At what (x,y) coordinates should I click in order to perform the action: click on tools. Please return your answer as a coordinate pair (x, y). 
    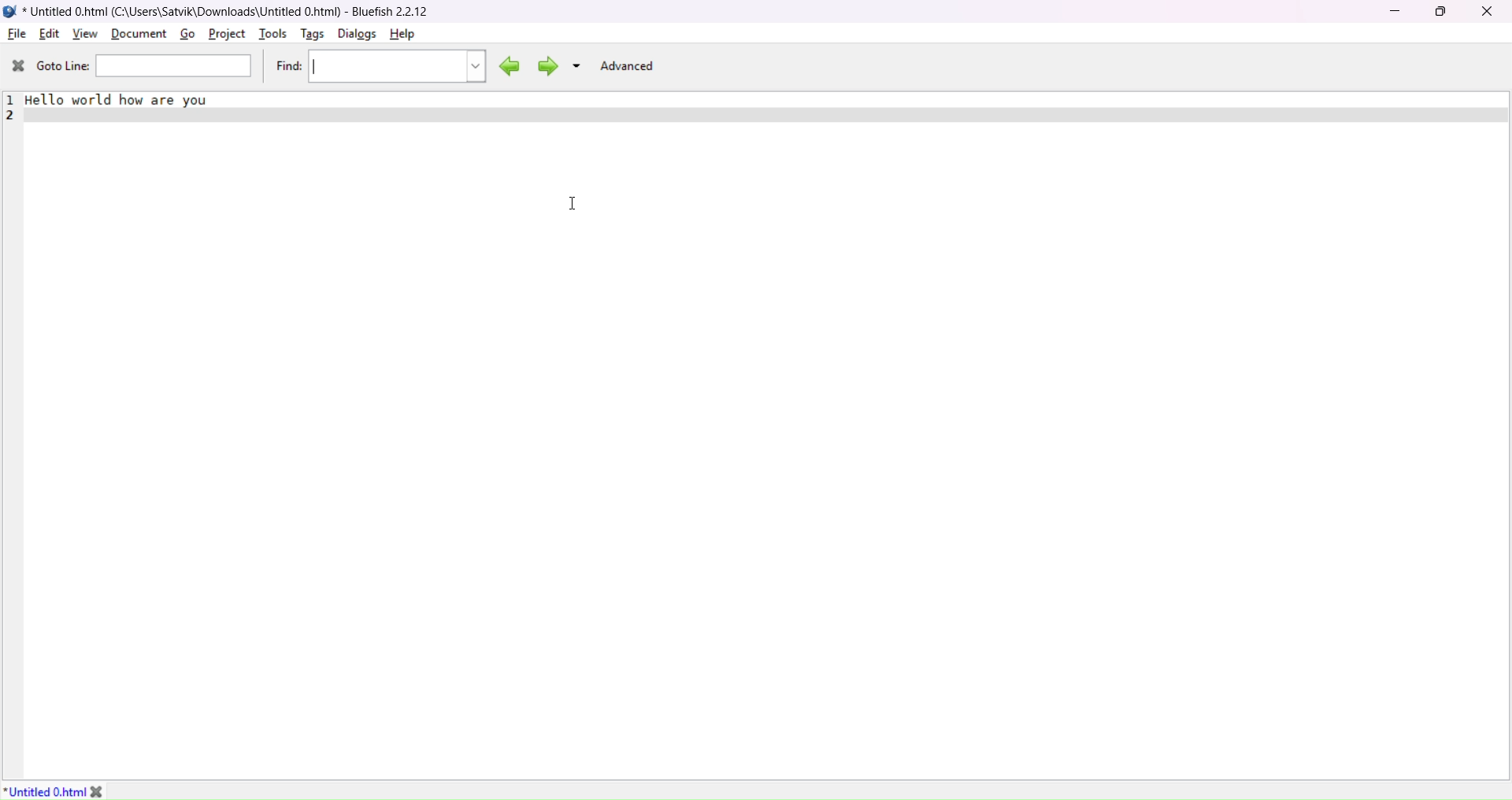
    Looking at the image, I should click on (271, 36).